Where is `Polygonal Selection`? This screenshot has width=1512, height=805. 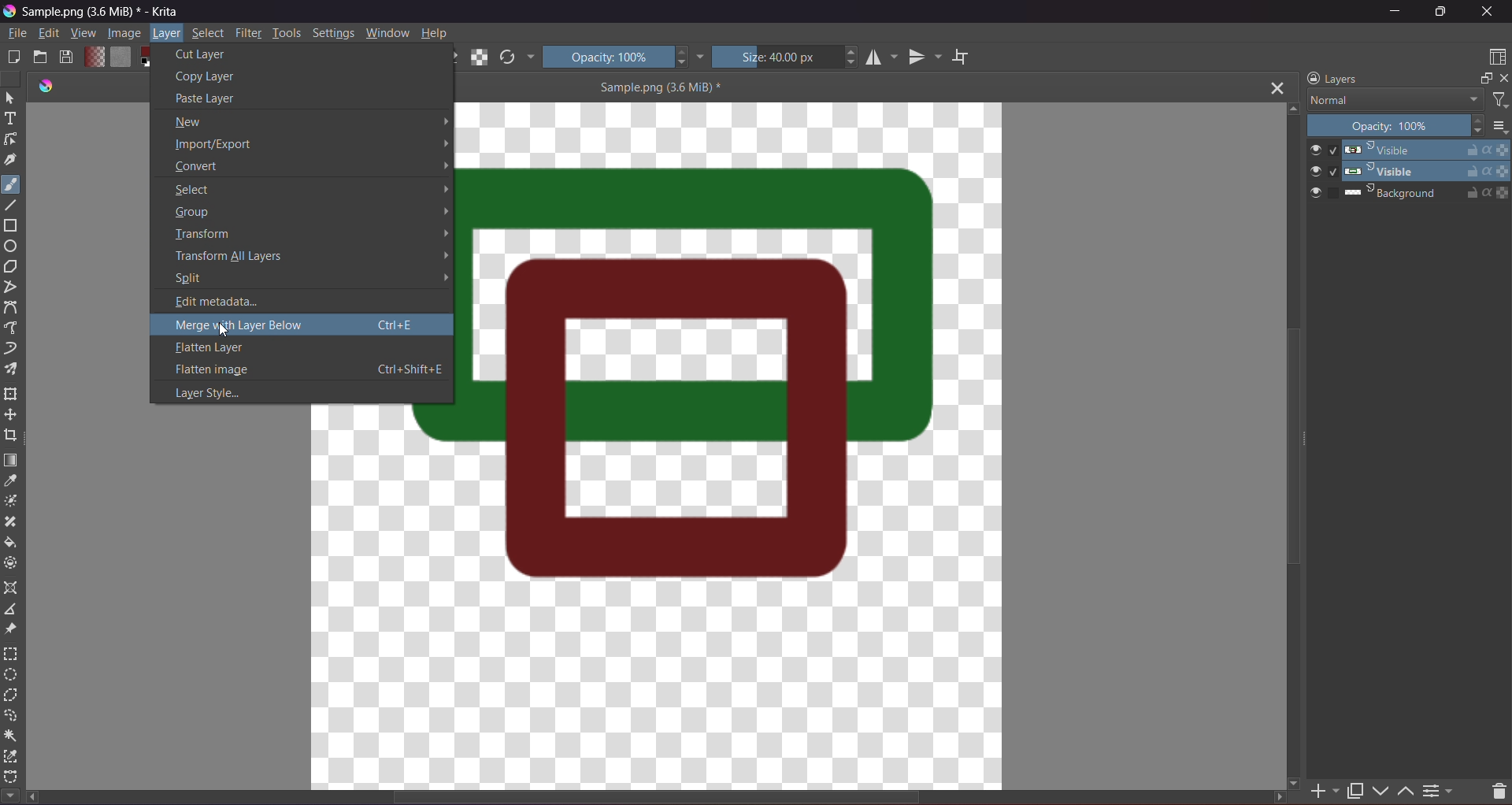
Polygonal Selection is located at coordinates (11, 697).